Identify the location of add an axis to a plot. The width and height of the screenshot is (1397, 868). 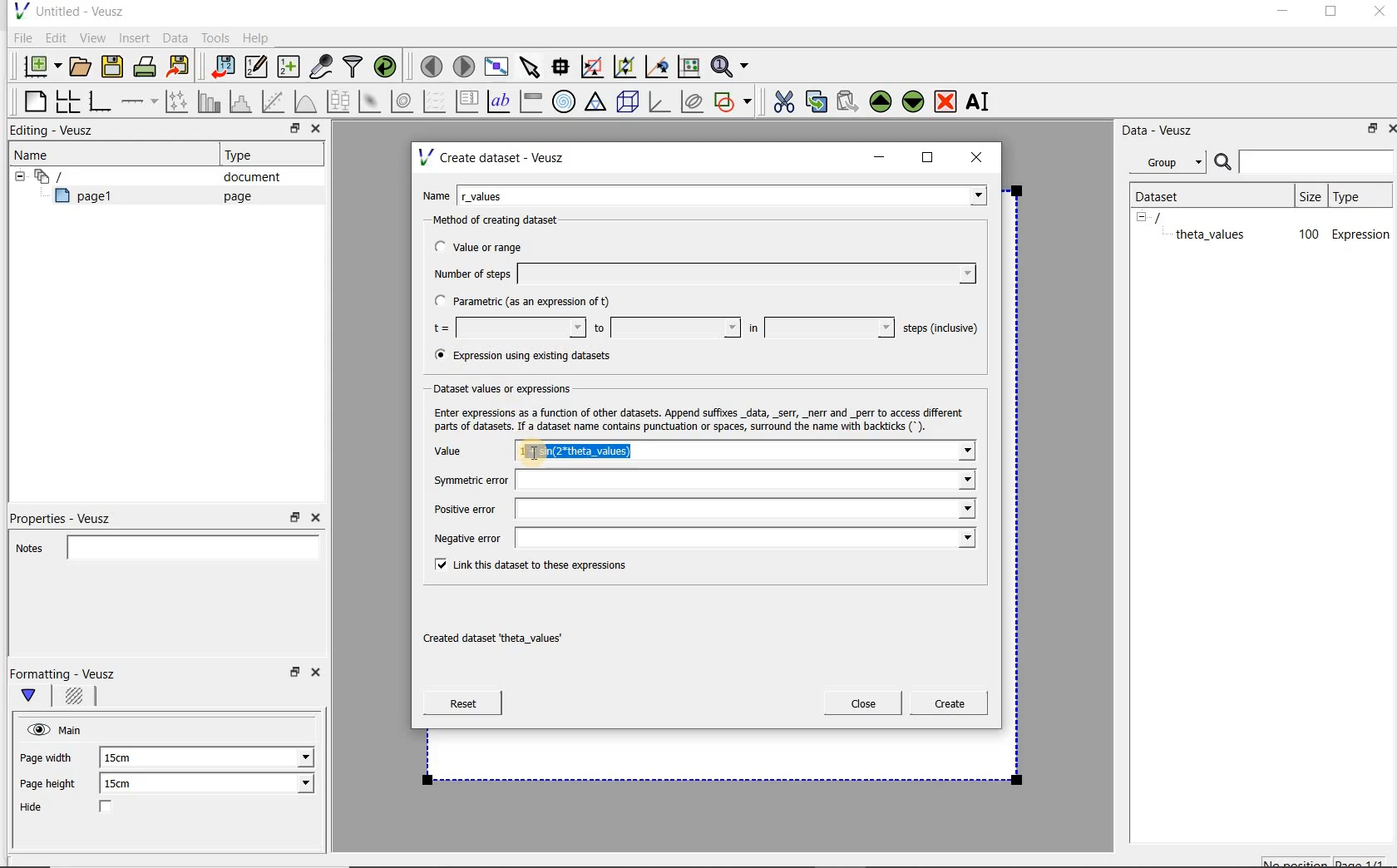
(141, 101).